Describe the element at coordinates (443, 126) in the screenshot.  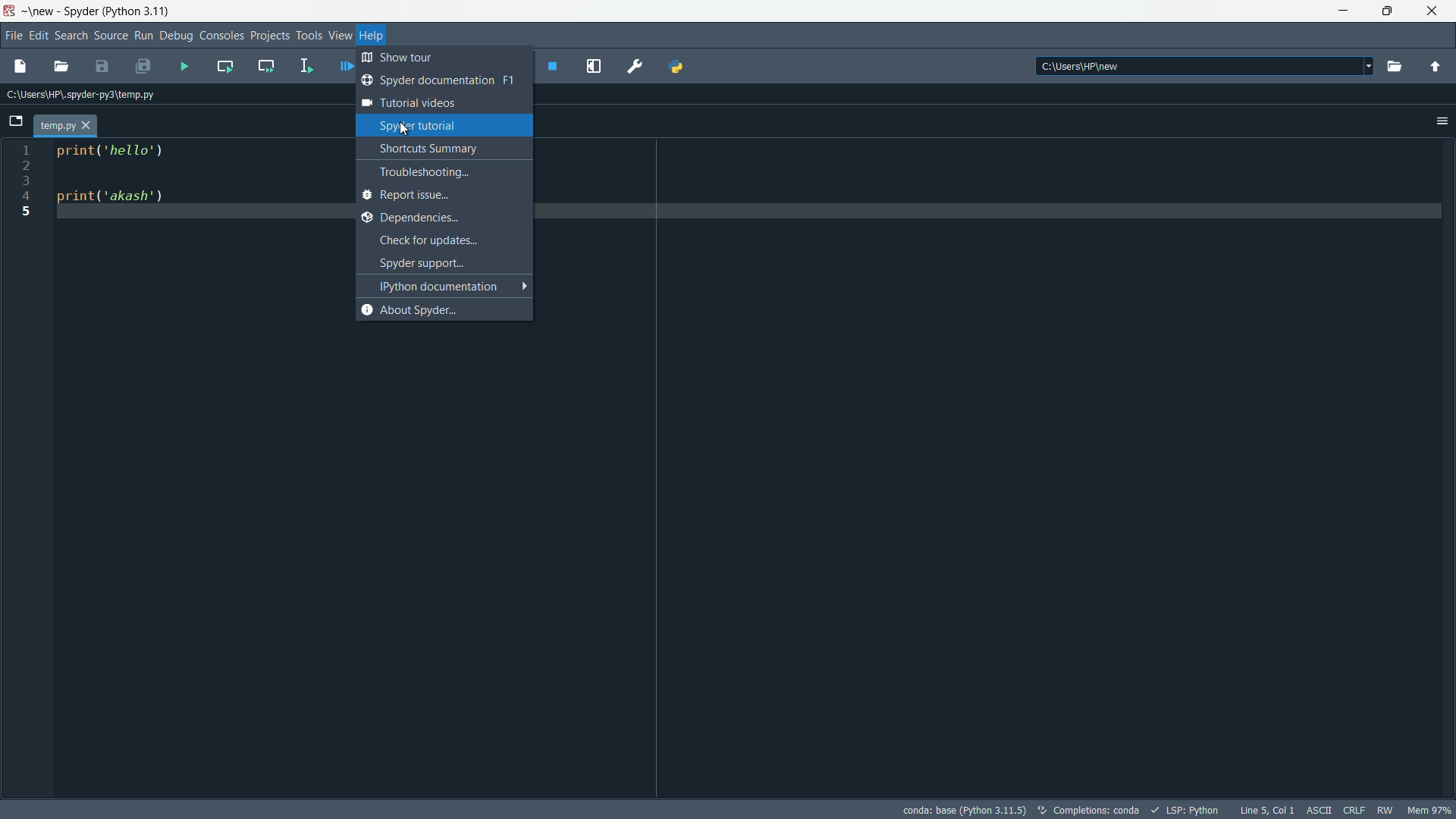
I see `spyder tutorial` at that location.